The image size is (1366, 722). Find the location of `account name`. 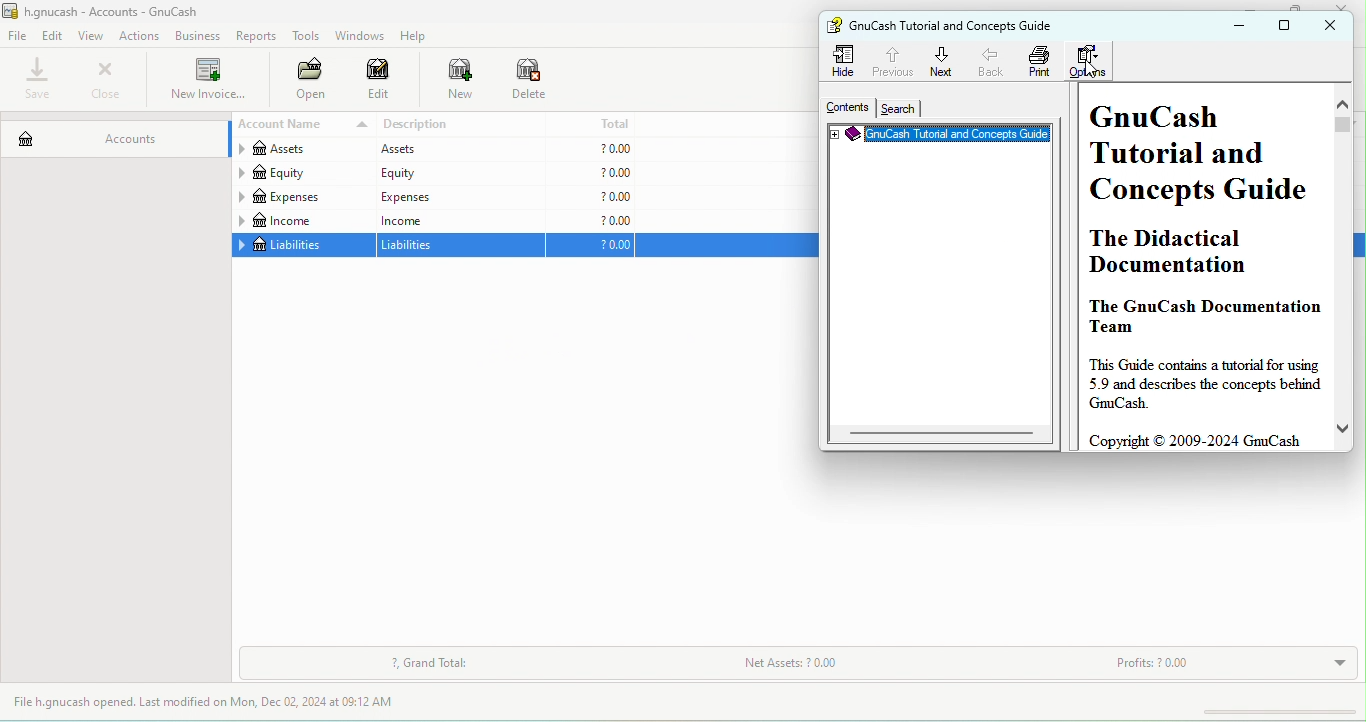

account name is located at coordinates (300, 125).